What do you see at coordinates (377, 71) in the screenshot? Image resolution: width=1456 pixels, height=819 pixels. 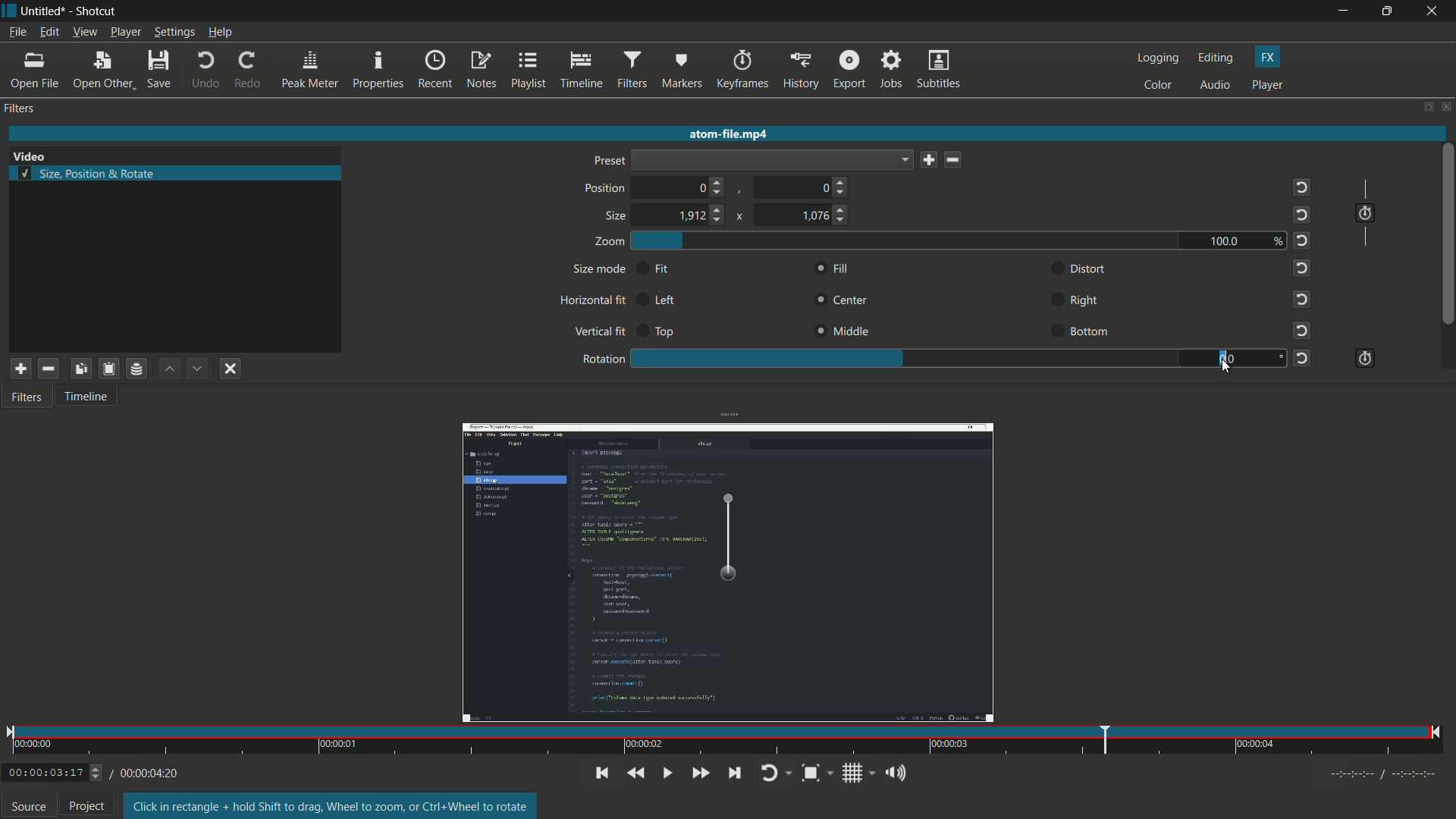 I see `properties` at bounding box center [377, 71].